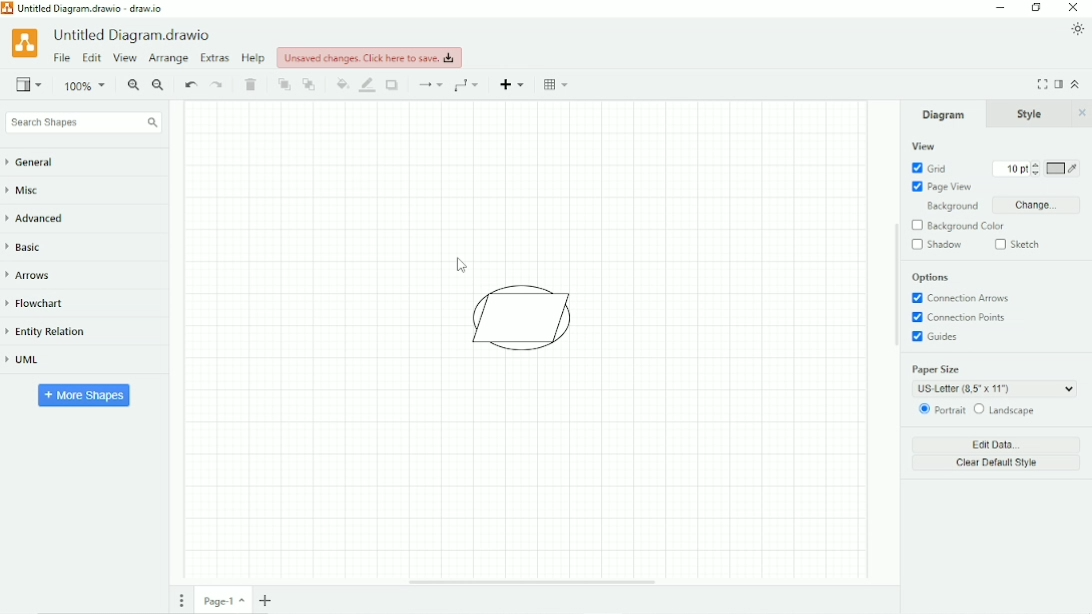 This screenshot has width=1092, height=614. Describe the element at coordinates (310, 84) in the screenshot. I see `To back` at that location.